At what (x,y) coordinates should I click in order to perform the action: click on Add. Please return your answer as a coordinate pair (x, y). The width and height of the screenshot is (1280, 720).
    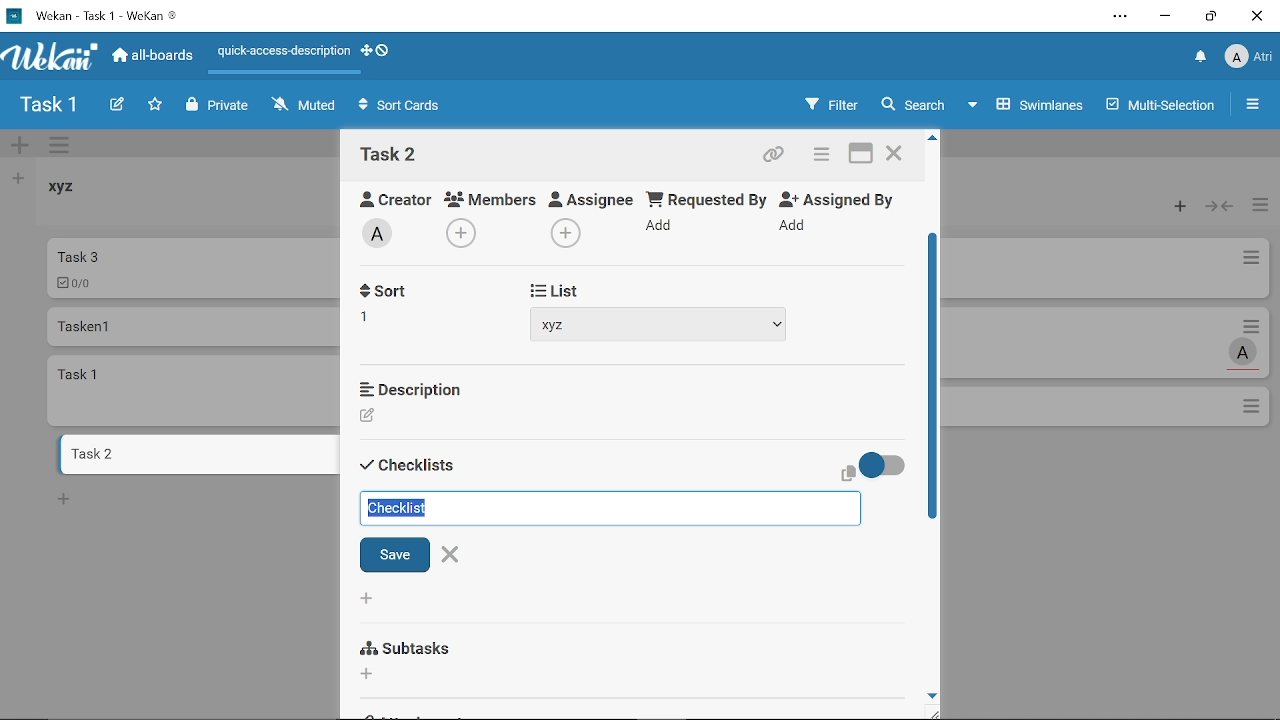
    Looking at the image, I should click on (796, 226).